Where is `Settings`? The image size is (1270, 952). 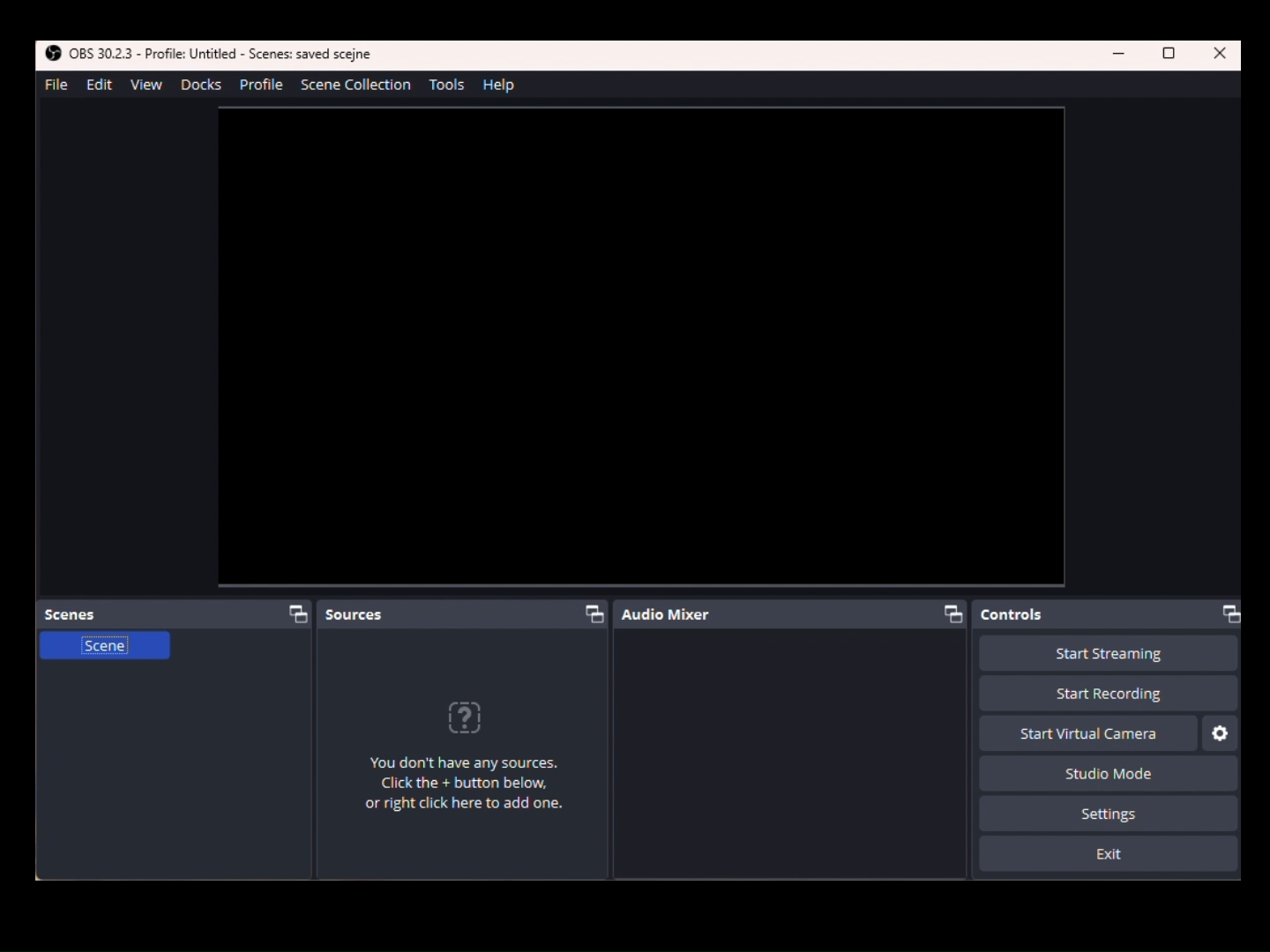 Settings is located at coordinates (1109, 814).